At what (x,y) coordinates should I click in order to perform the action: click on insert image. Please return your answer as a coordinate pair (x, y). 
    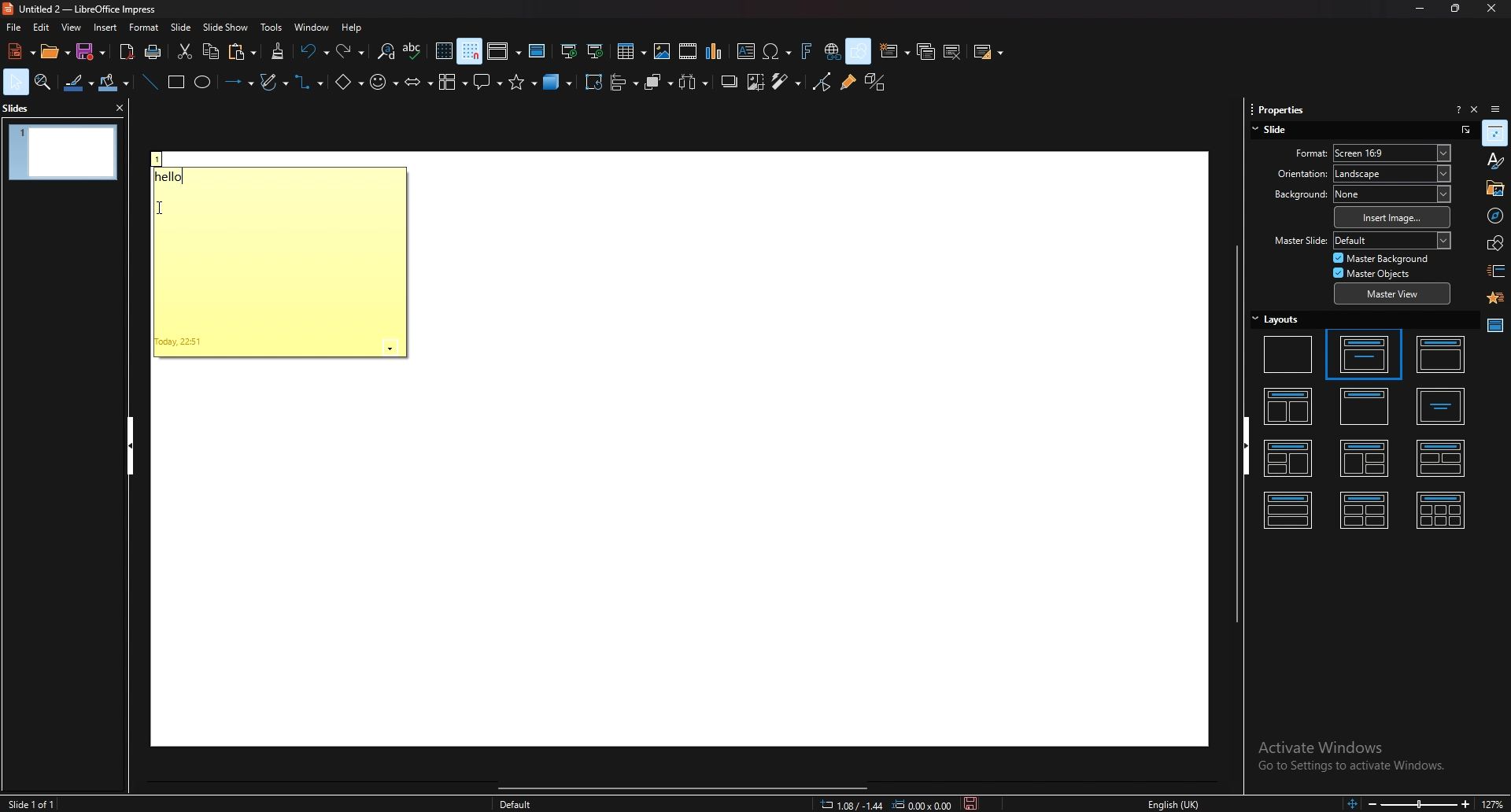
    Looking at the image, I should click on (1392, 217).